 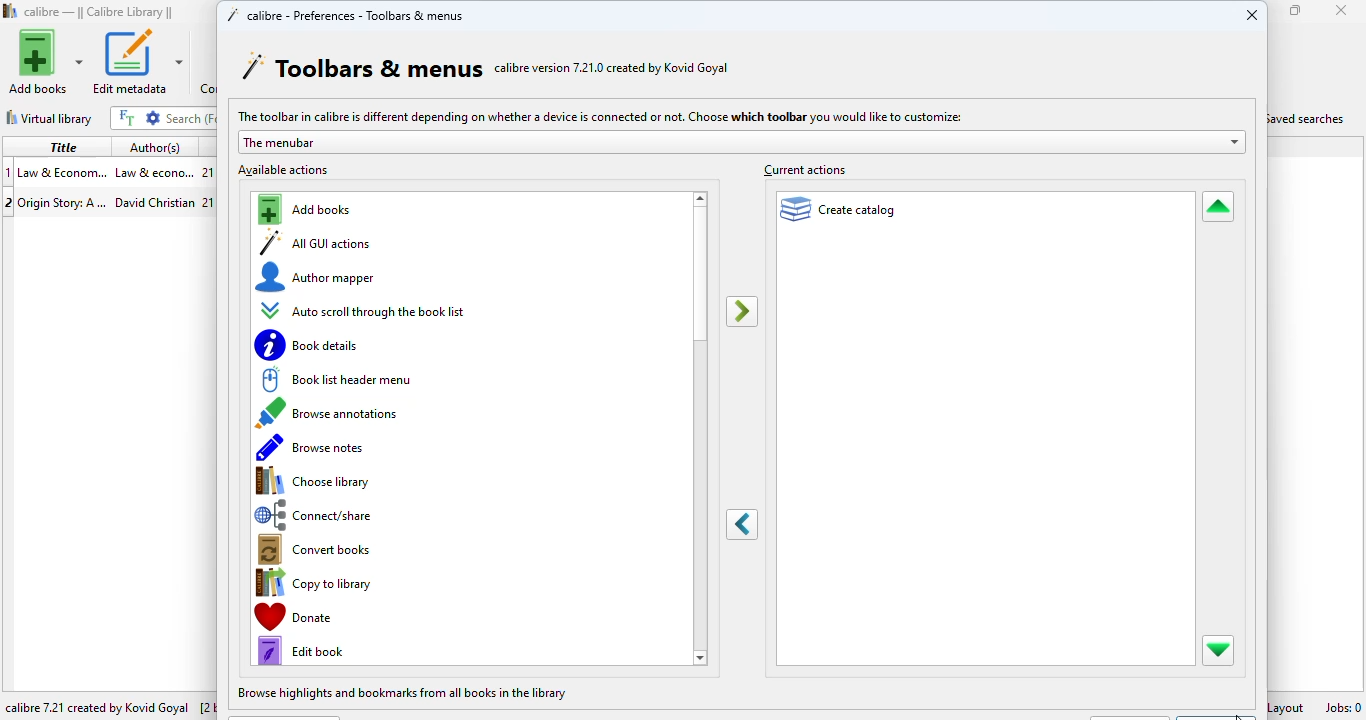 I want to click on move selected action up, so click(x=1217, y=208).